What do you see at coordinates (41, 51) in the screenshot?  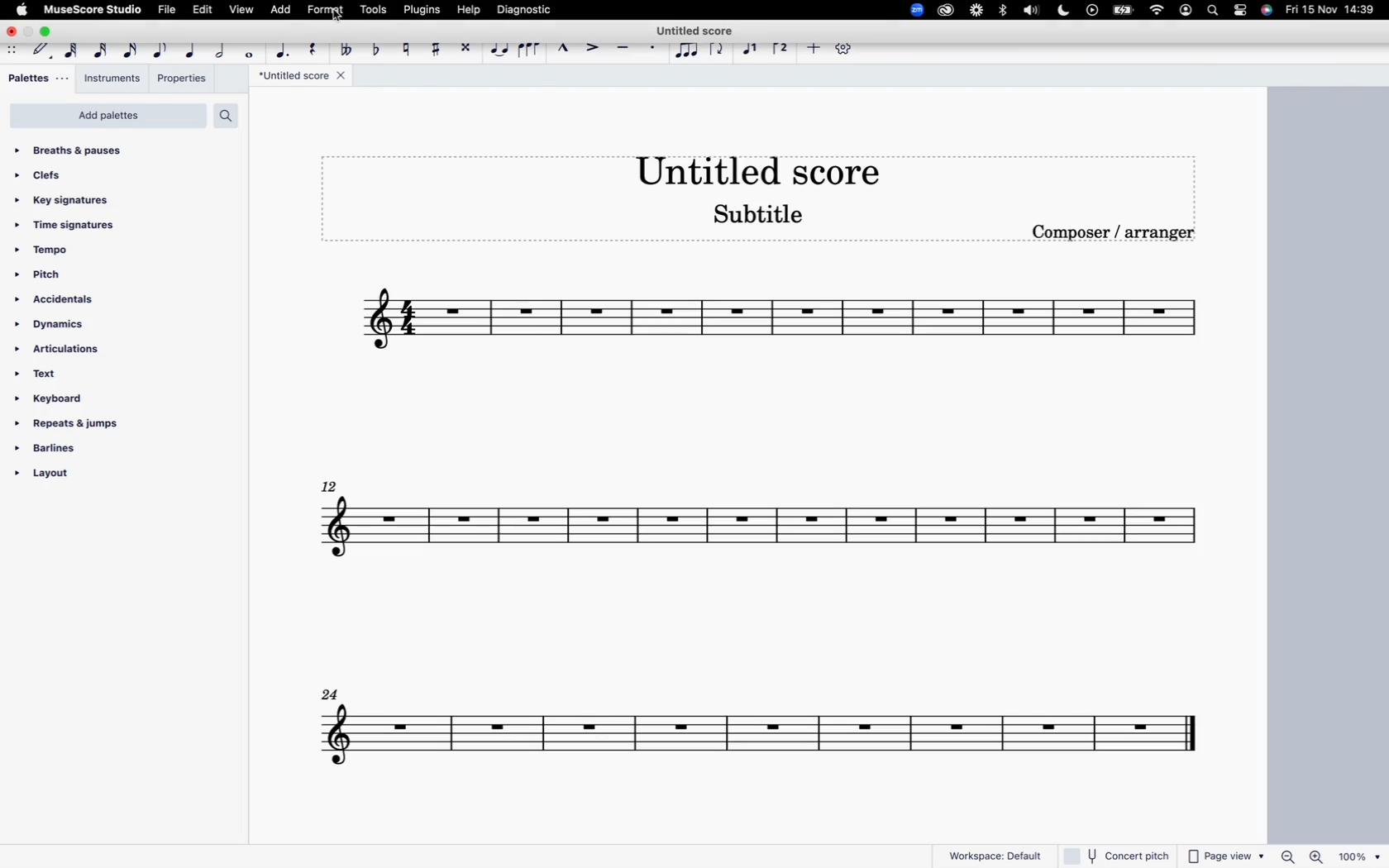 I see `default` at bounding box center [41, 51].